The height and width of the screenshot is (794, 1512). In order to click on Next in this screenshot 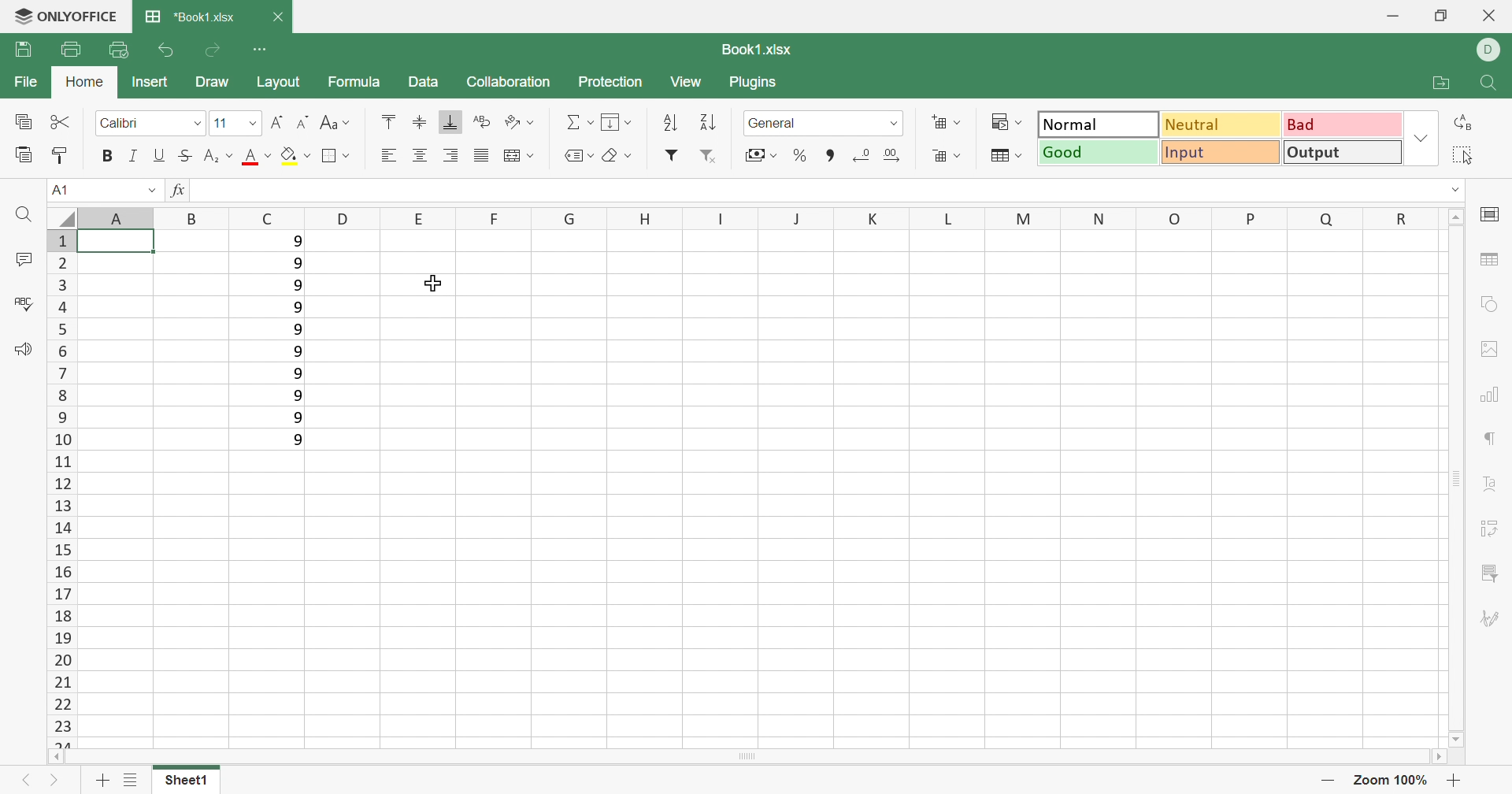, I will do `click(55, 779)`.